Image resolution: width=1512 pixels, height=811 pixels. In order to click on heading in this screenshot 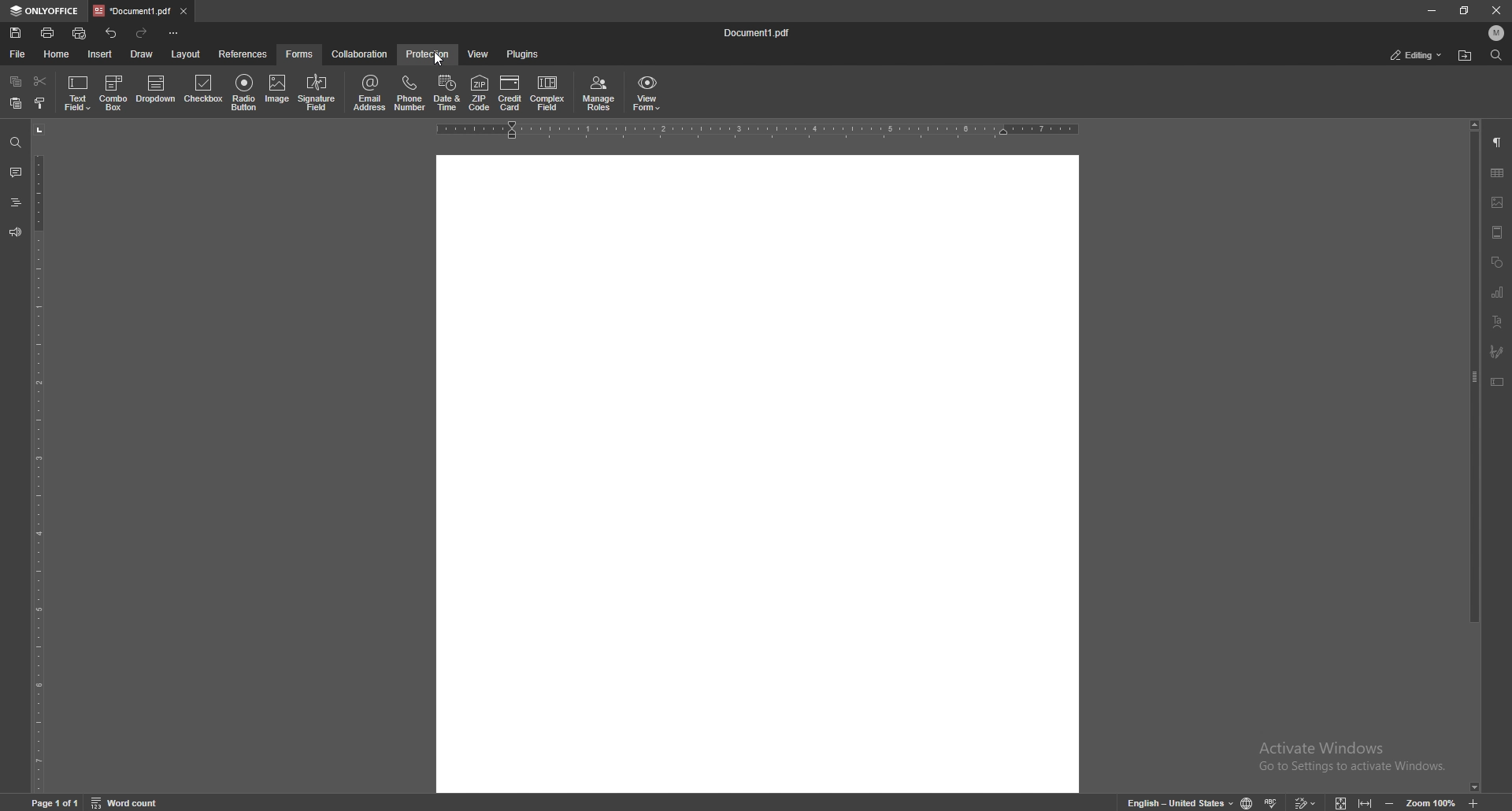, I will do `click(15, 204)`.